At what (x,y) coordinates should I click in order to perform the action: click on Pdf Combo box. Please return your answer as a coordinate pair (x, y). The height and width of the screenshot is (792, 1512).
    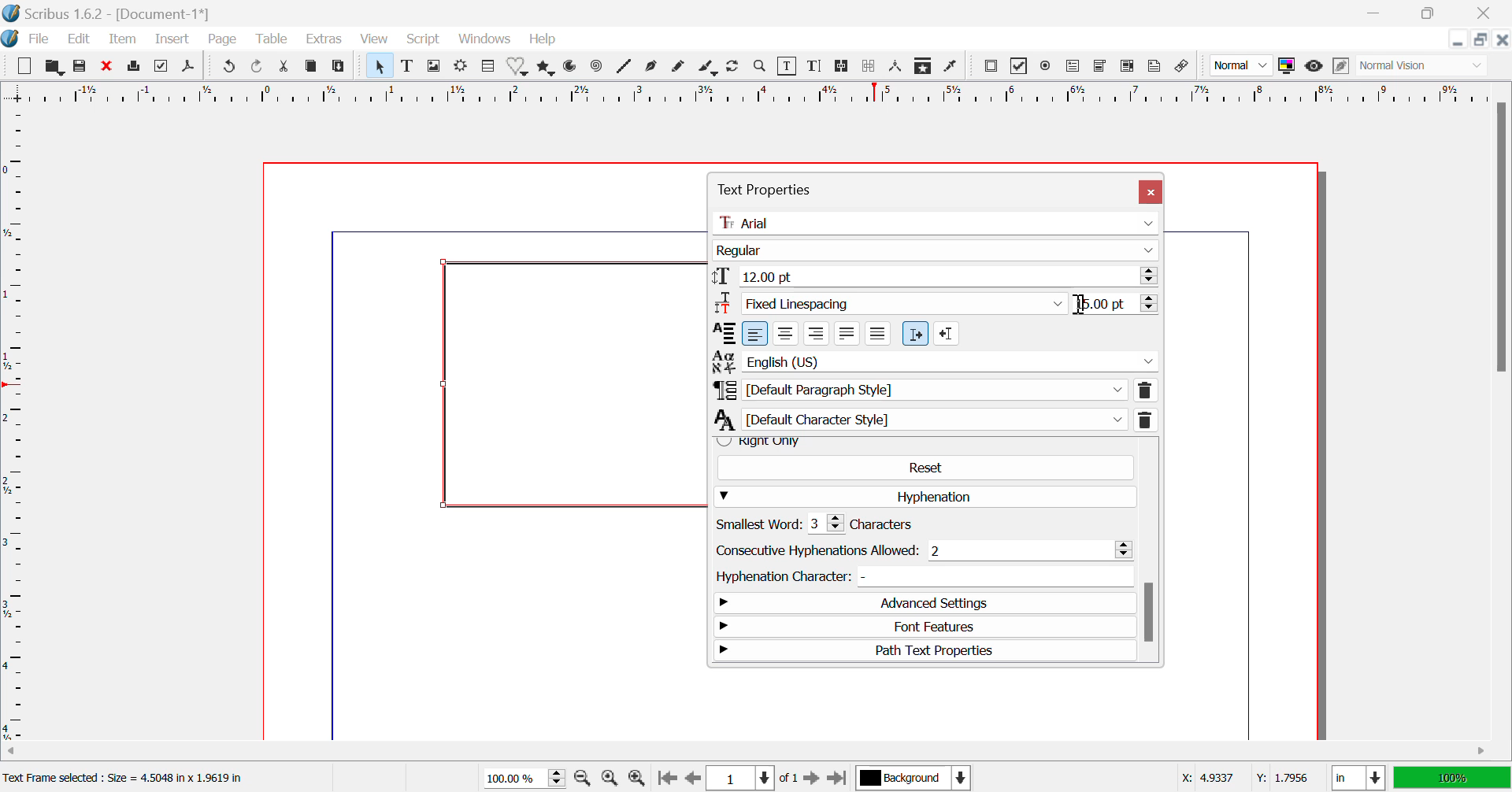
    Looking at the image, I should click on (1101, 68).